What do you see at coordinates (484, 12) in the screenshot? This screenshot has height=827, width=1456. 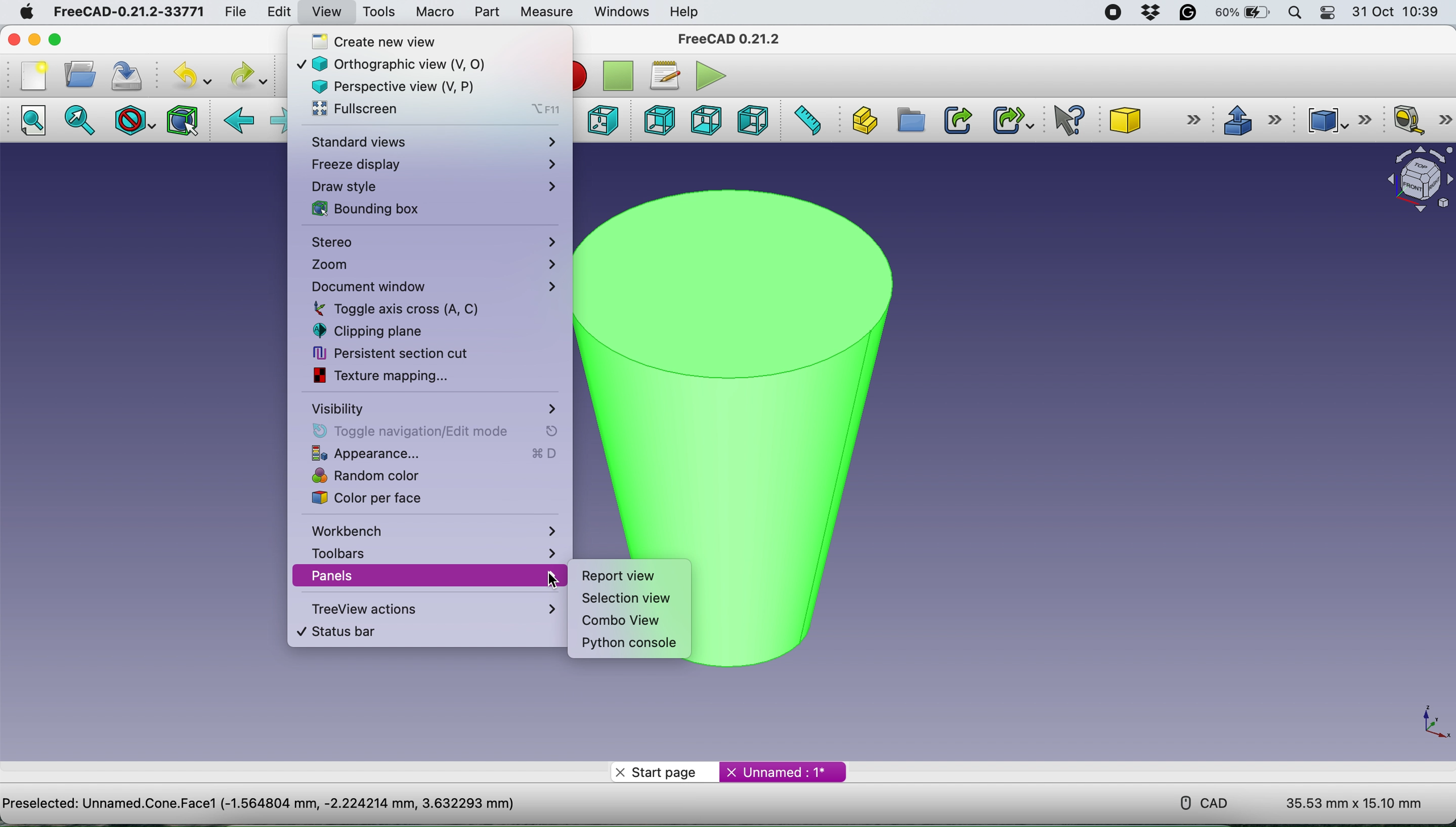 I see `part` at bounding box center [484, 12].